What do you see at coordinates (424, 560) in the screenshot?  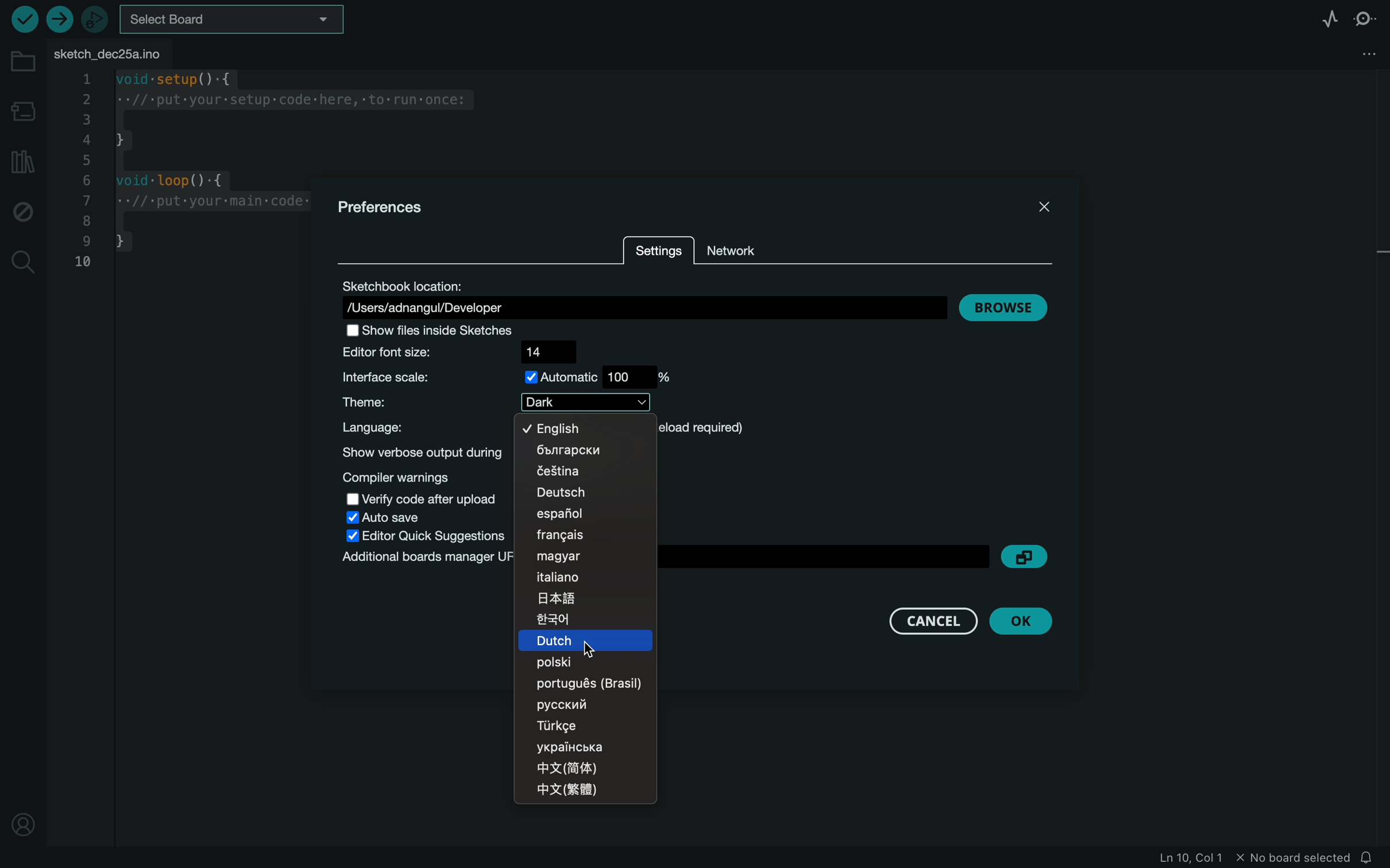 I see `boards  manager` at bounding box center [424, 560].